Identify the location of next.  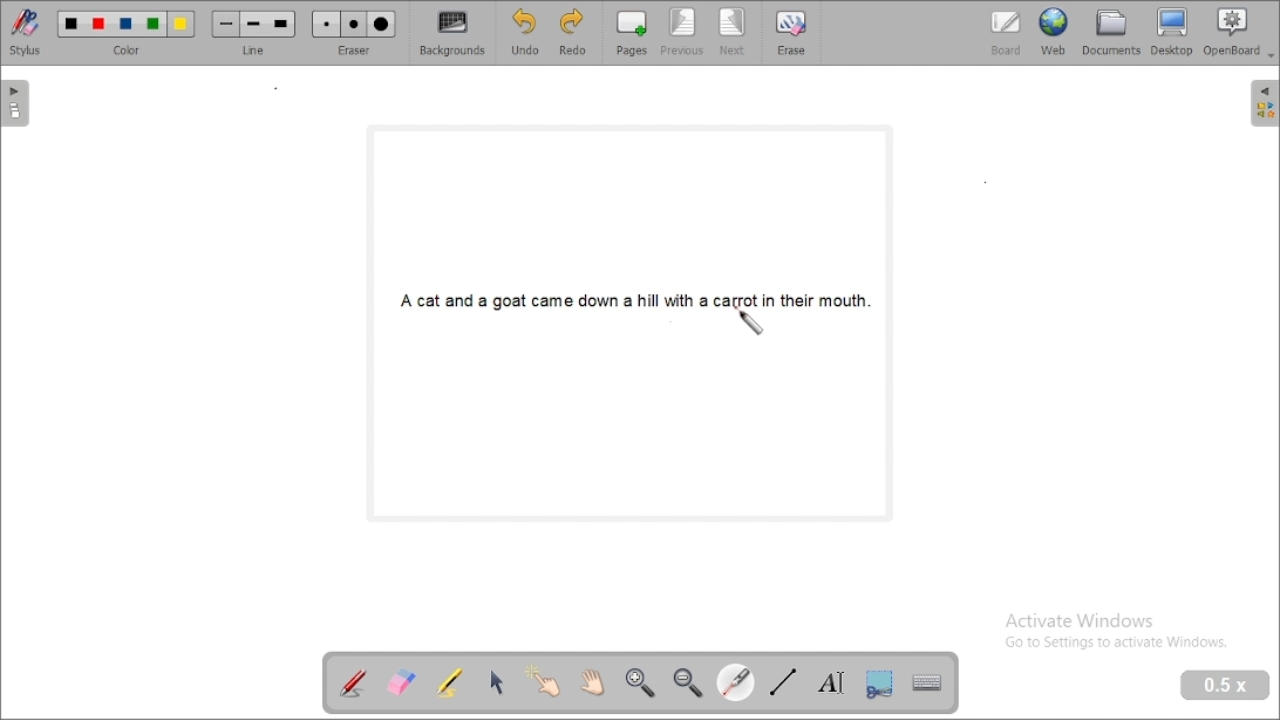
(734, 33).